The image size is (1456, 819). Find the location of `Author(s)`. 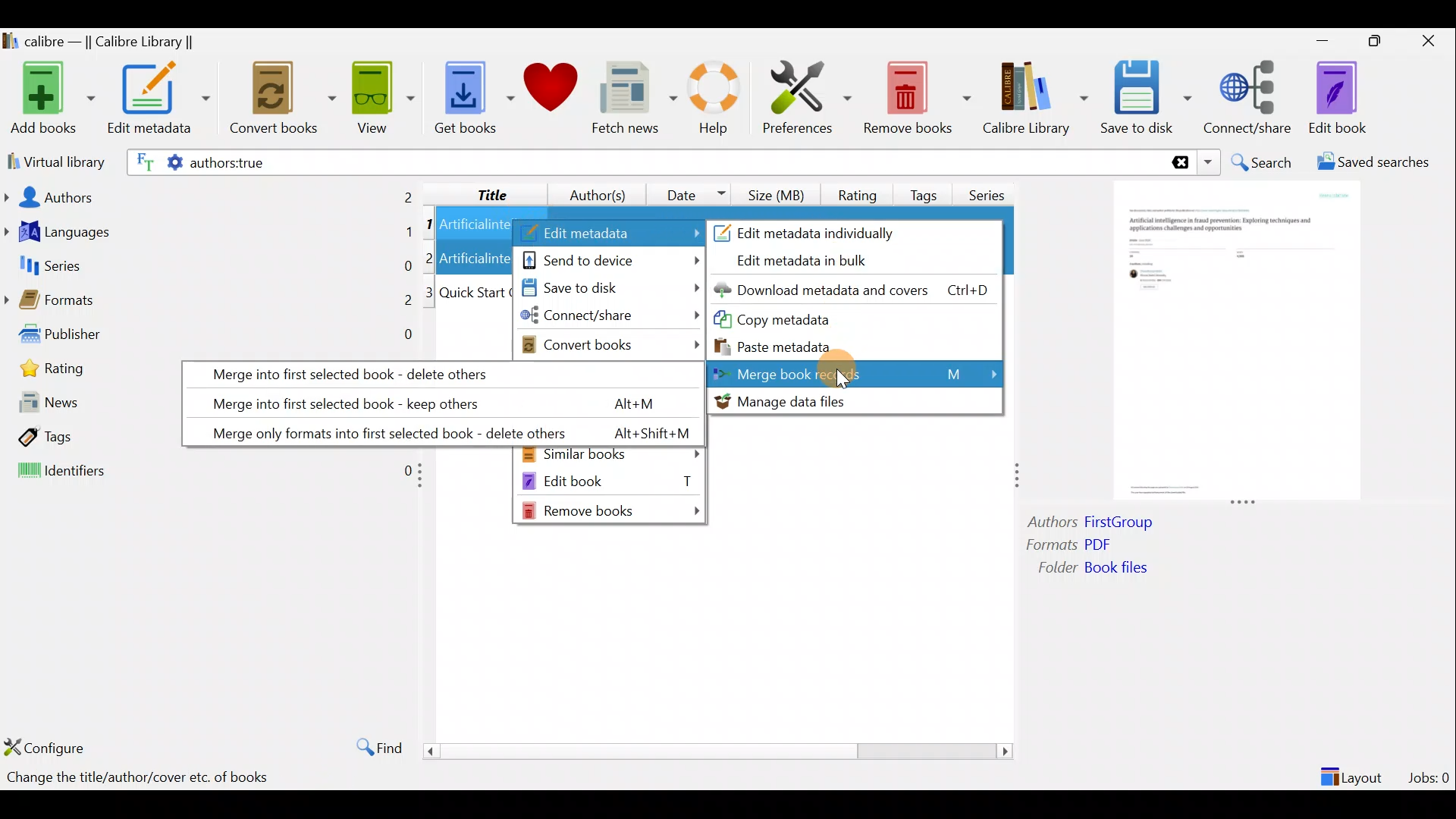

Author(s) is located at coordinates (591, 191).